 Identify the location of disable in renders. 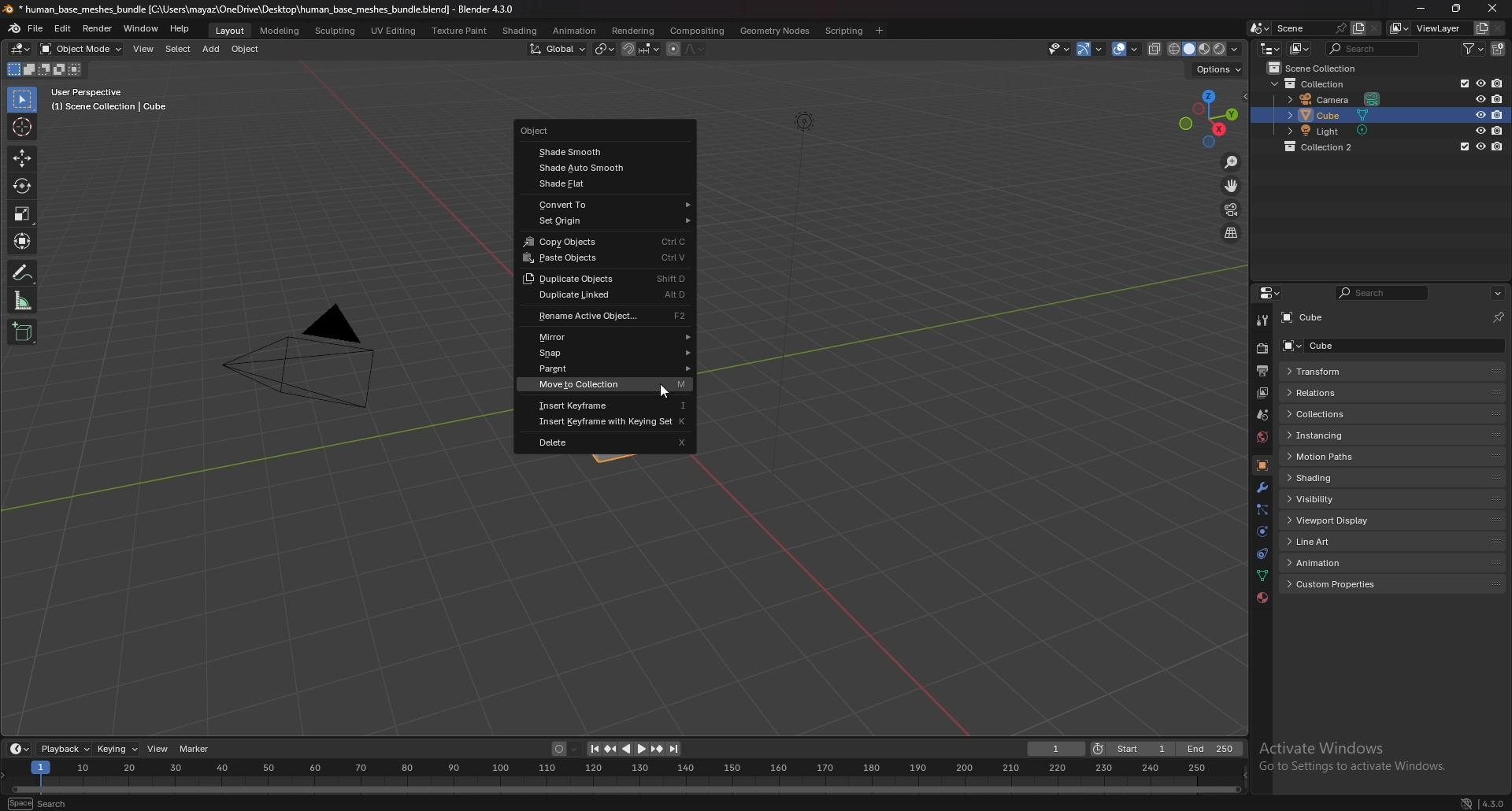
(1498, 82).